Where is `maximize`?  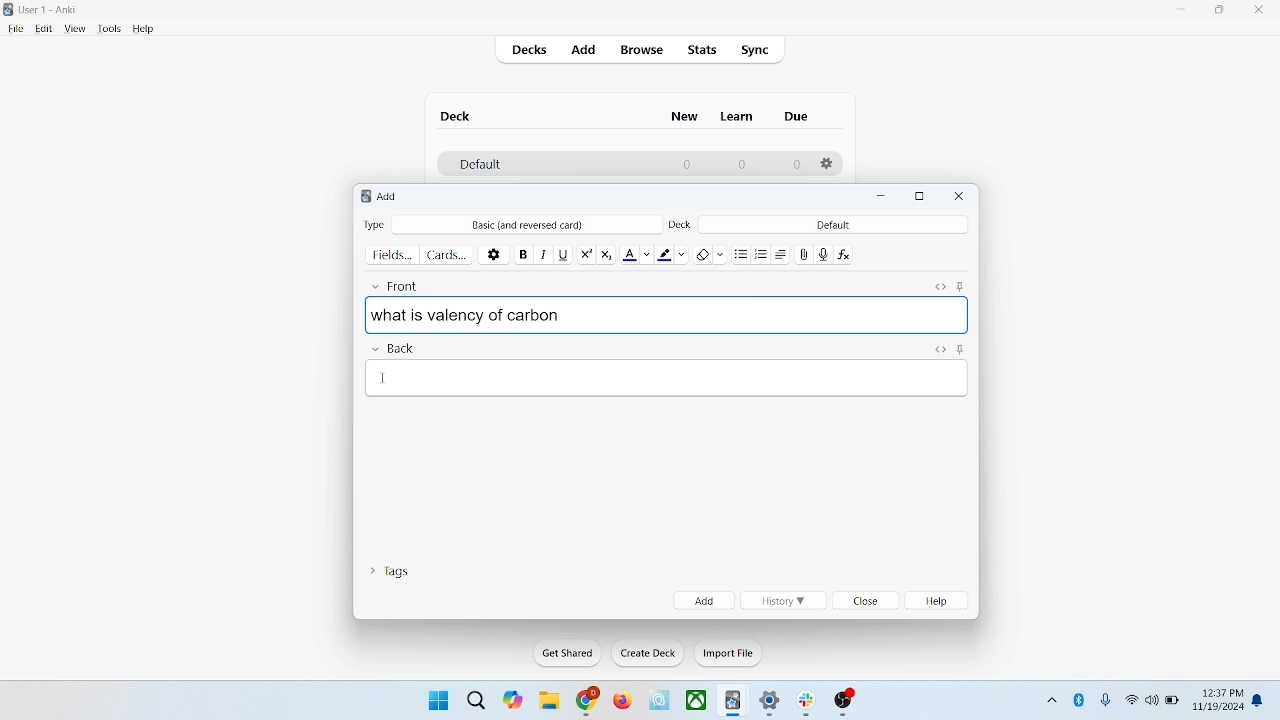
maximize is located at coordinates (920, 197).